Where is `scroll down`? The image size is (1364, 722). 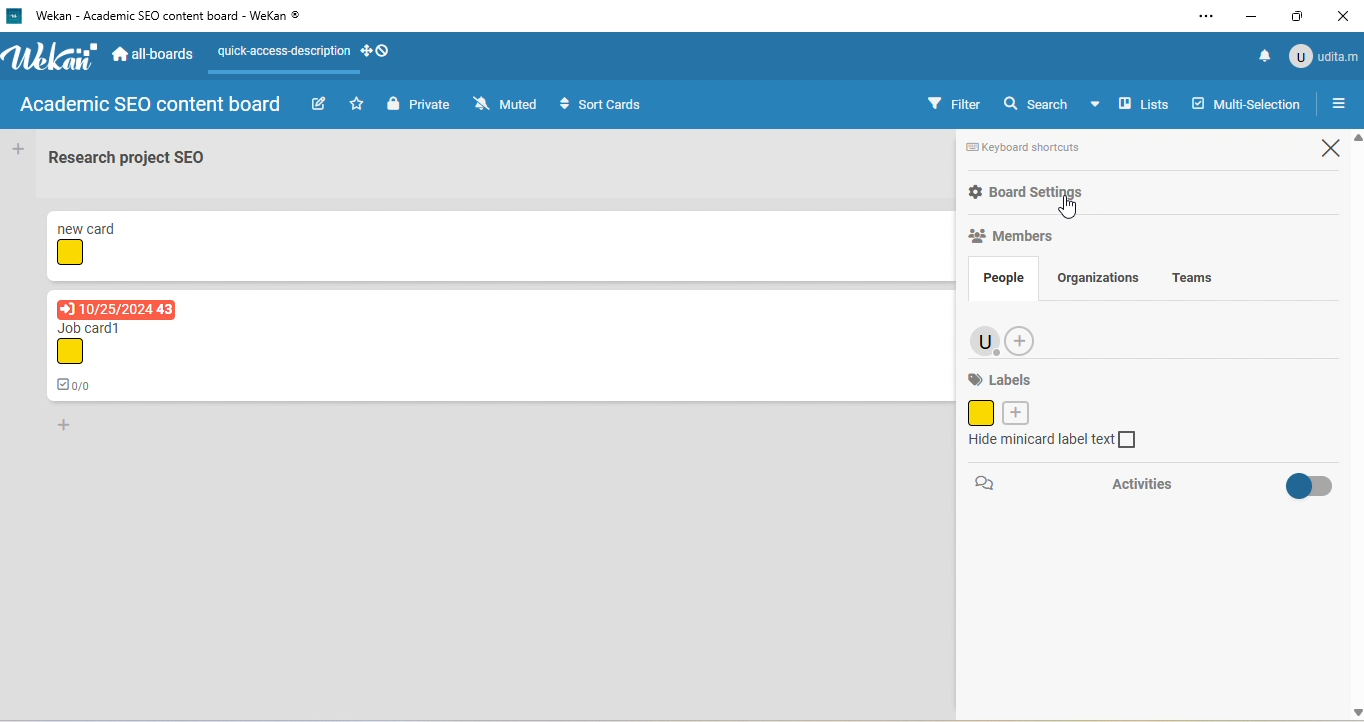 scroll down is located at coordinates (1355, 712).